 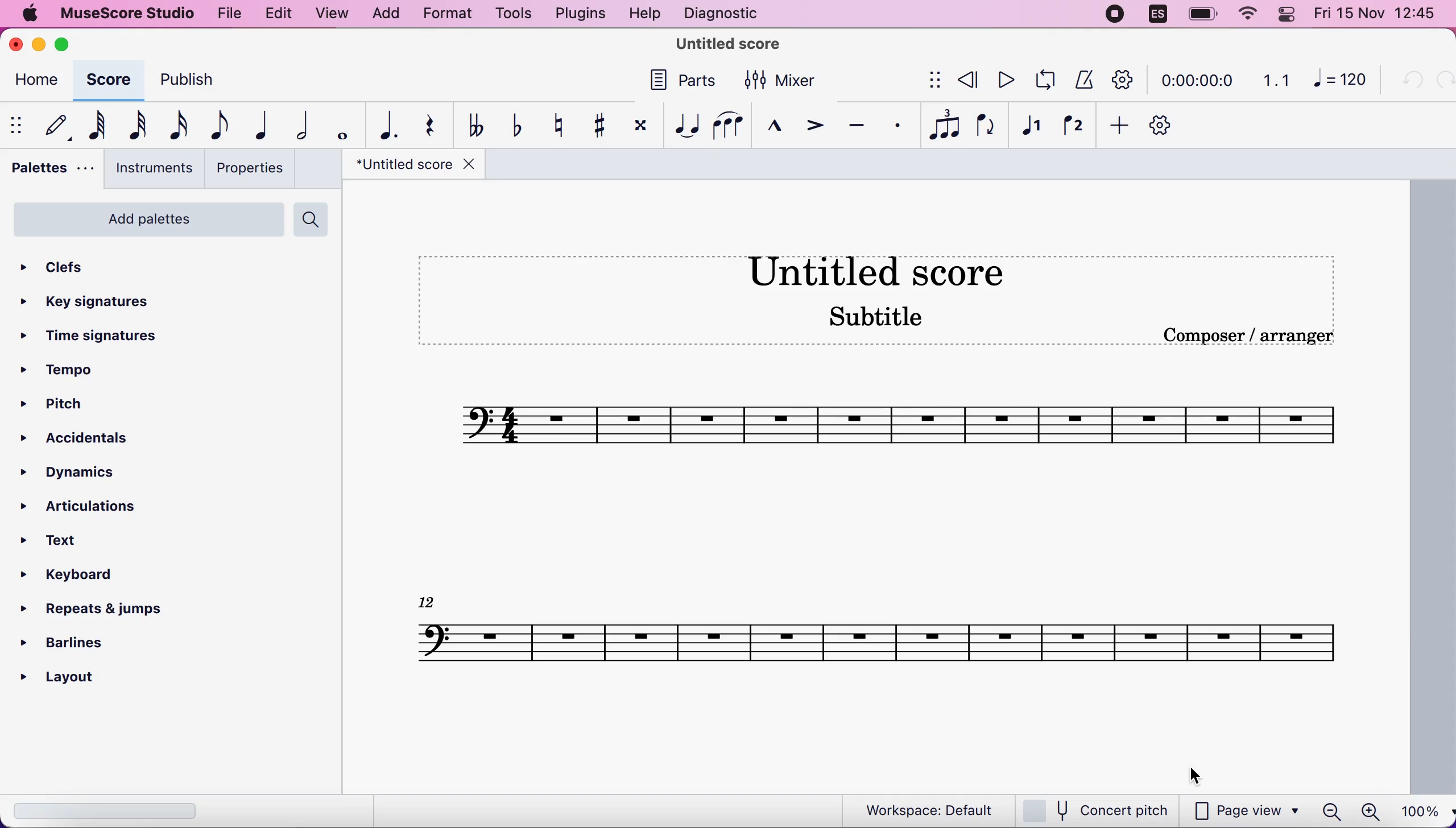 I want to click on Page view, so click(x=1244, y=810).